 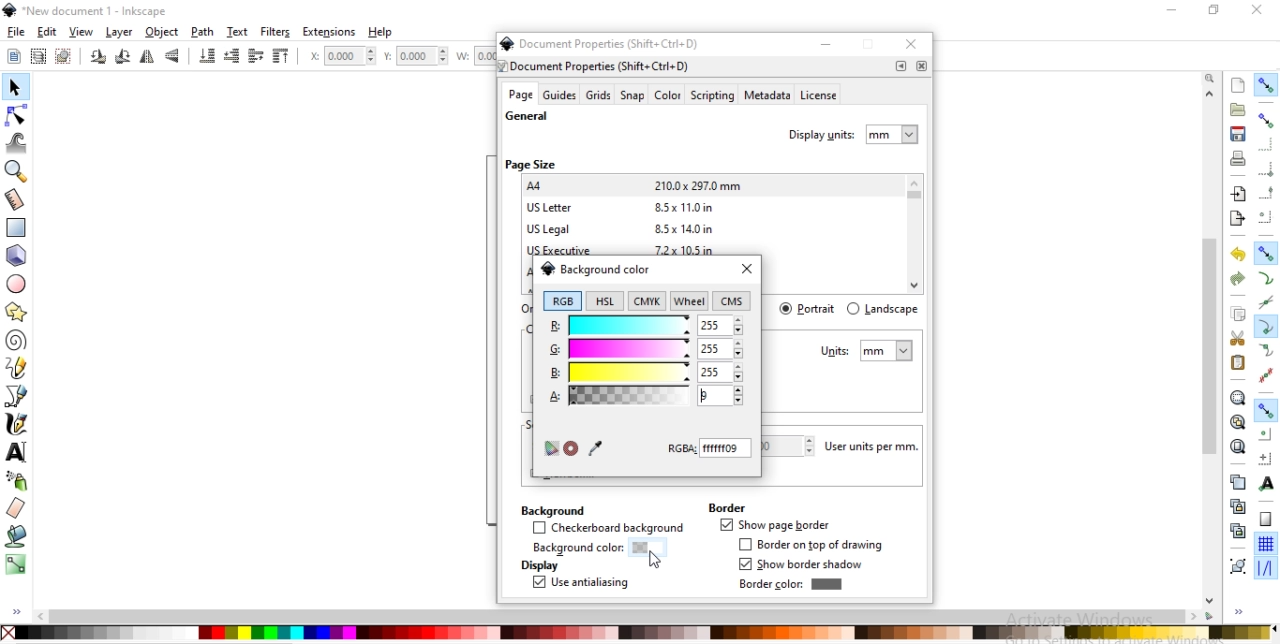 I want to click on background color, so click(x=592, y=549).